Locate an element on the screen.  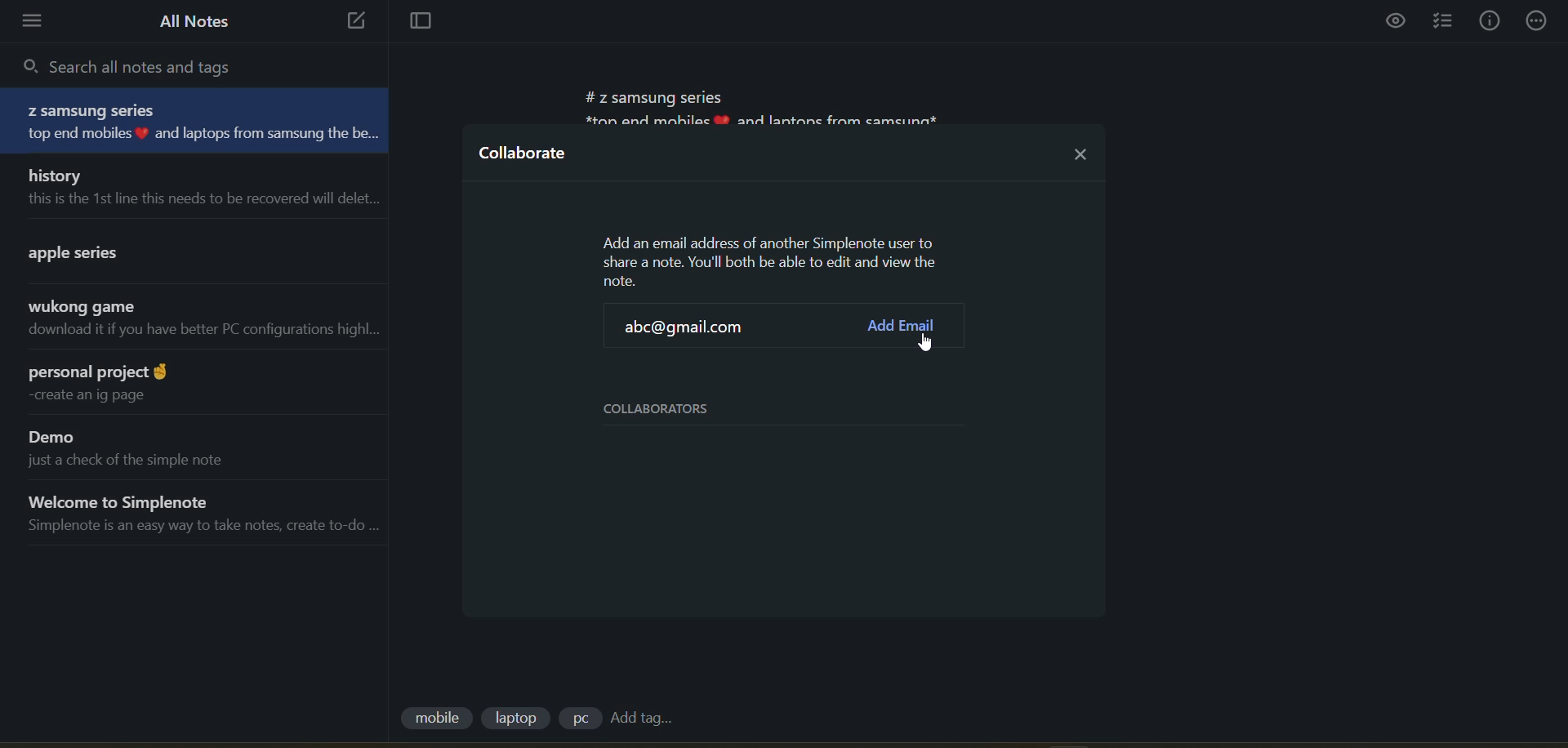
add tag is located at coordinates (640, 719).